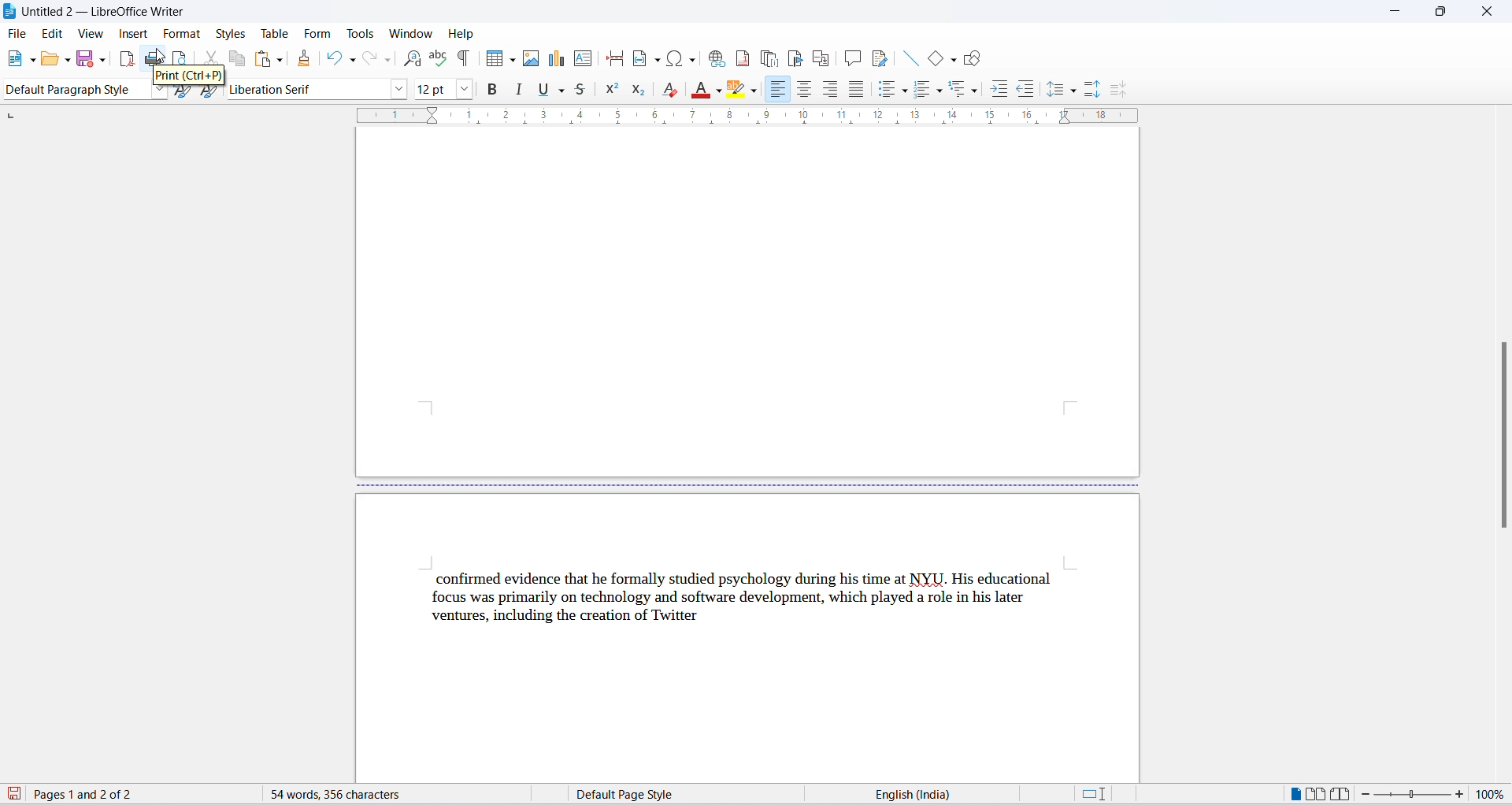 The width and height of the screenshot is (1512, 805). What do you see at coordinates (106, 12) in the screenshot?
I see `file title` at bounding box center [106, 12].